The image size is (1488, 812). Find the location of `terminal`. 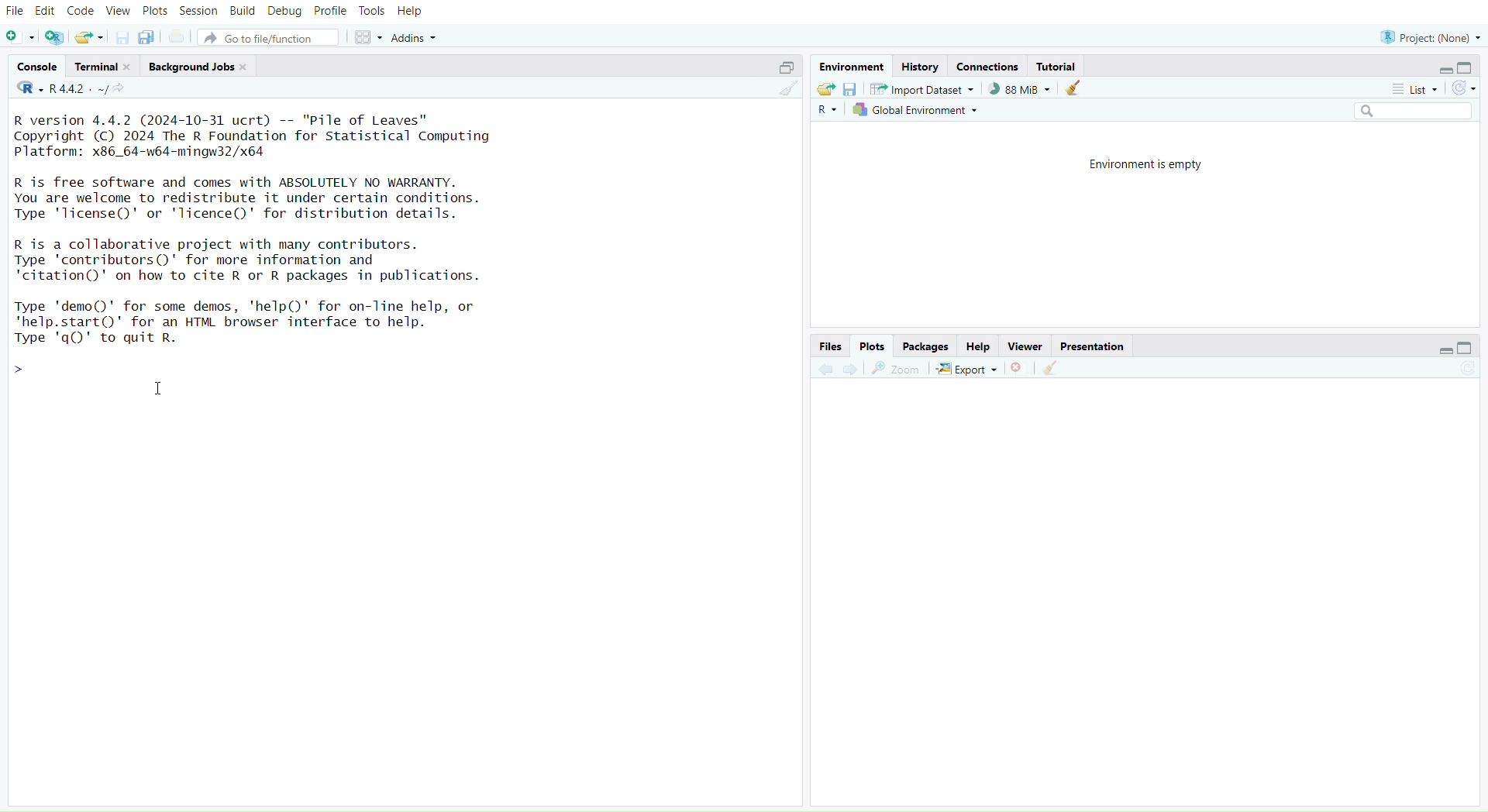

terminal is located at coordinates (104, 67).